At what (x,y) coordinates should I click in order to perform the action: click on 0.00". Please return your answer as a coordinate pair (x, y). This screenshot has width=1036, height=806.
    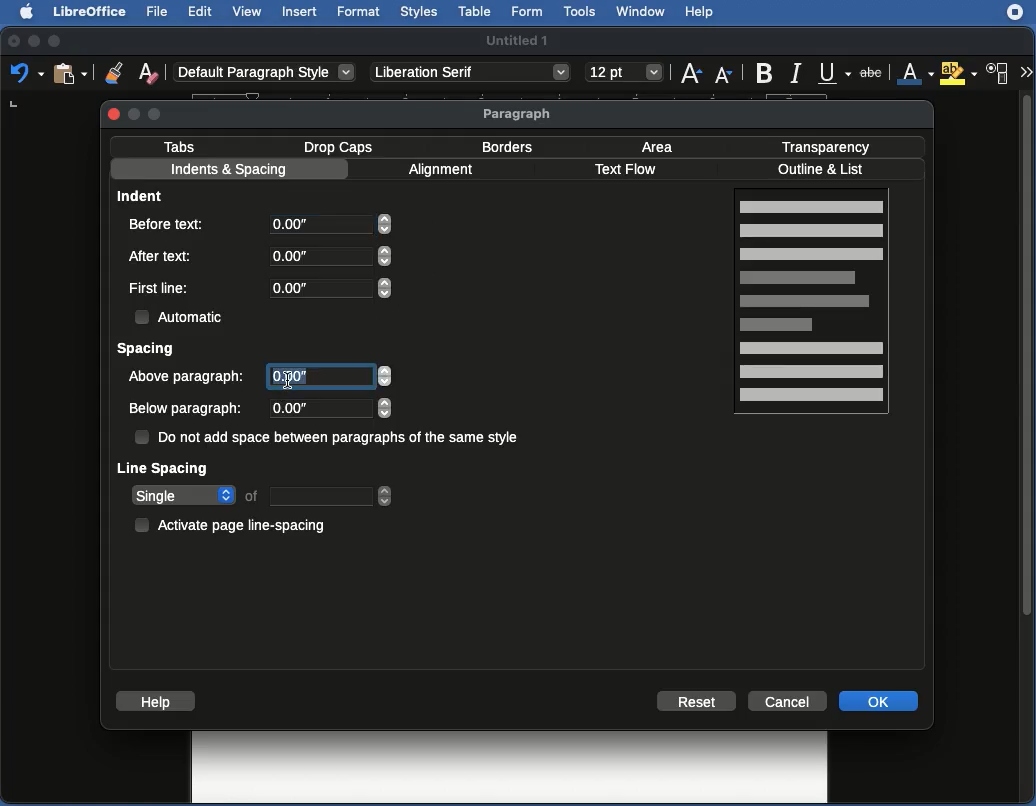
    Looking at the image, I should click on (328, 256).